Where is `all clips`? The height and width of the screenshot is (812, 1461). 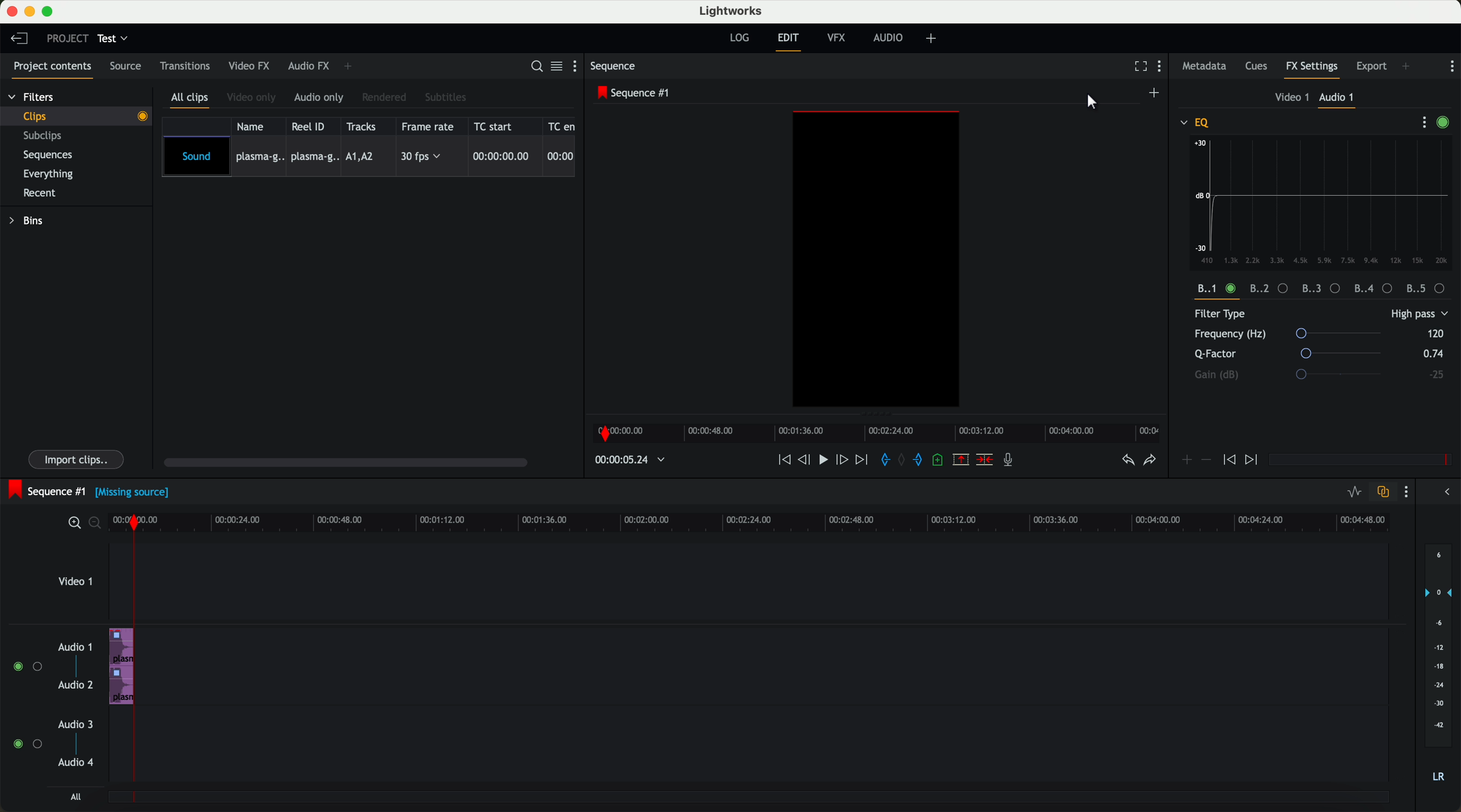
all clips is located at coordinates (192, 99).